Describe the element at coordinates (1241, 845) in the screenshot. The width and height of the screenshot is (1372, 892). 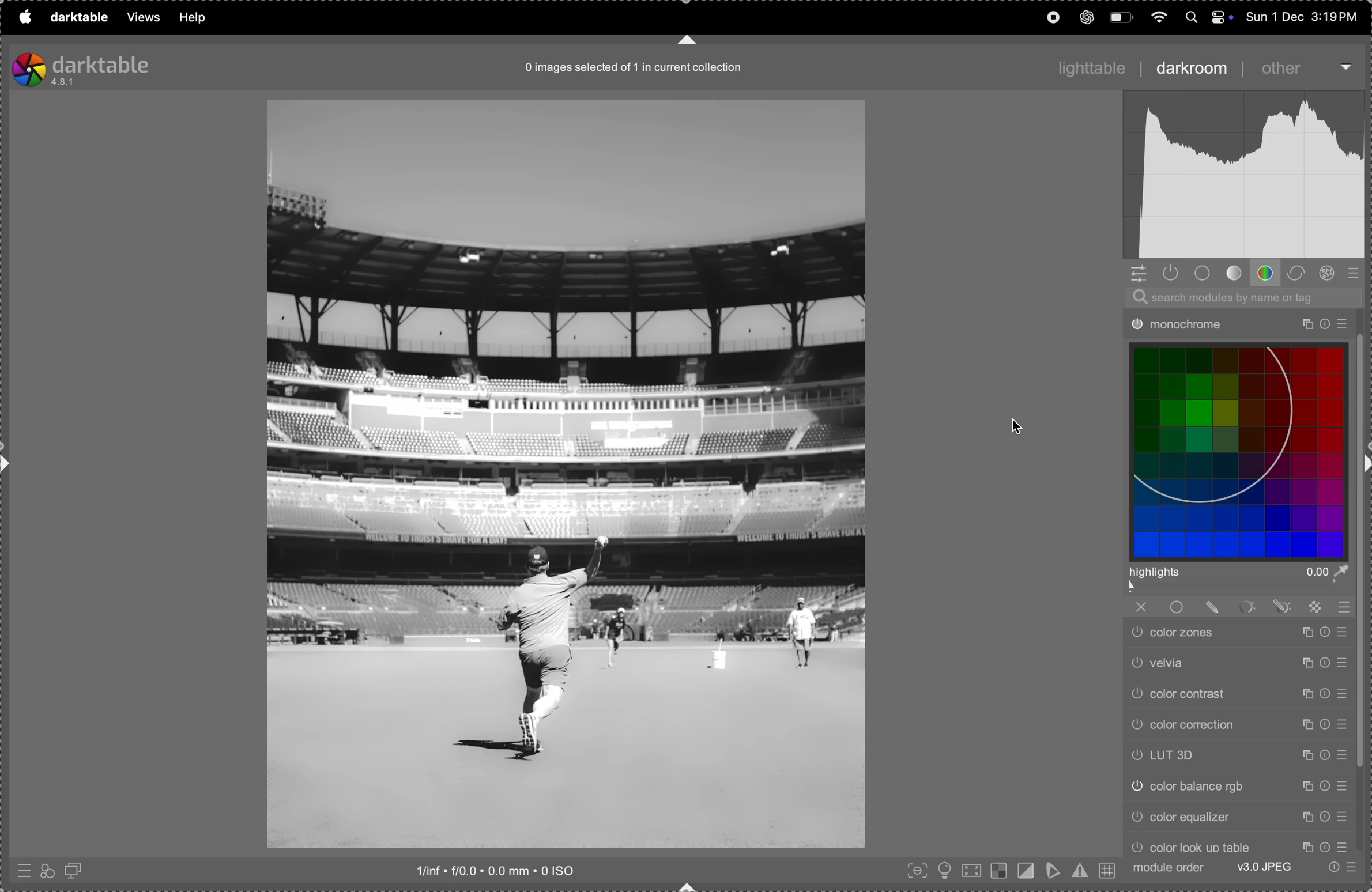
I see `click lookup table` at that location.